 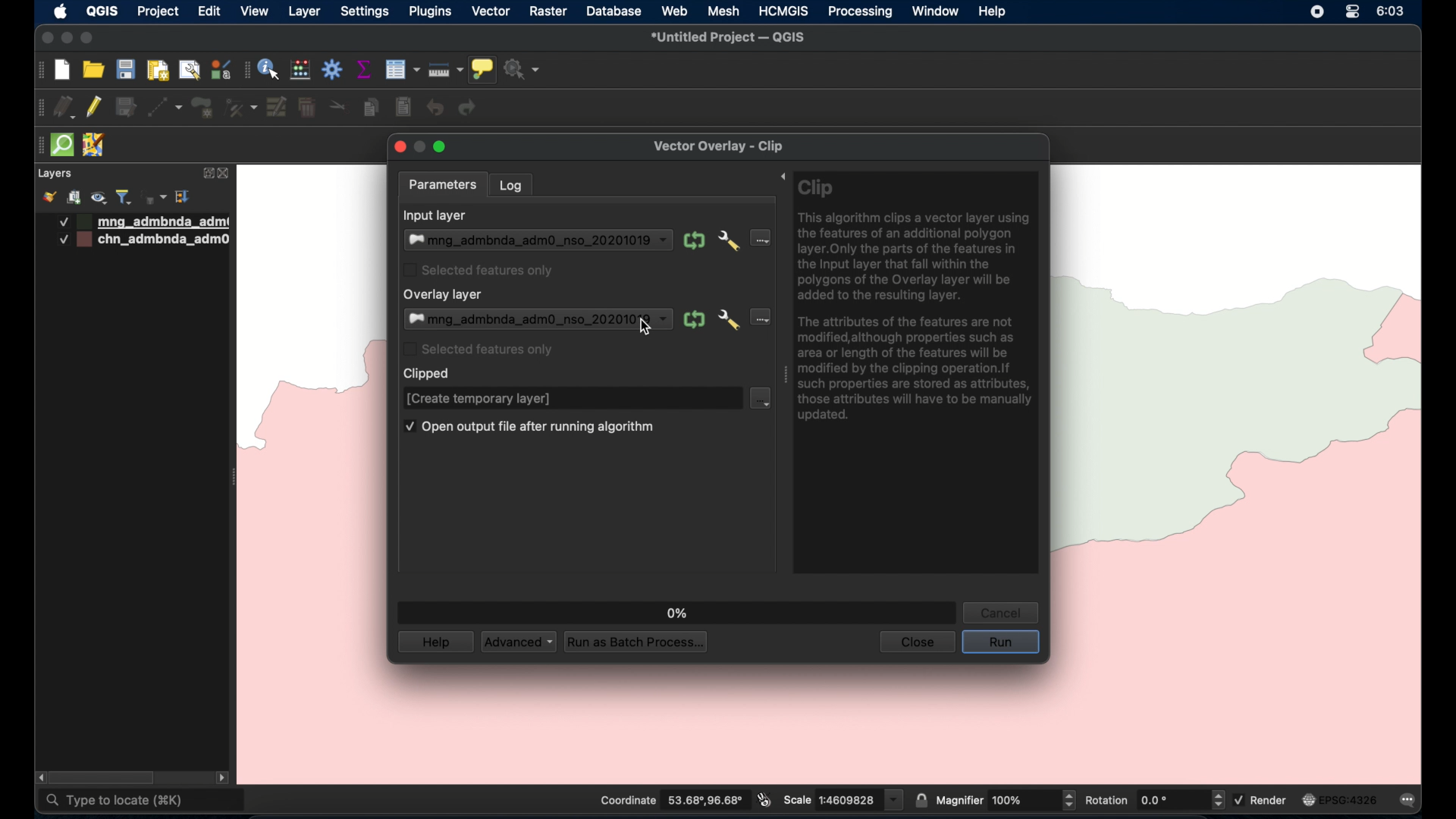 I want to click on open layout manager, so click(x=189, y=71).